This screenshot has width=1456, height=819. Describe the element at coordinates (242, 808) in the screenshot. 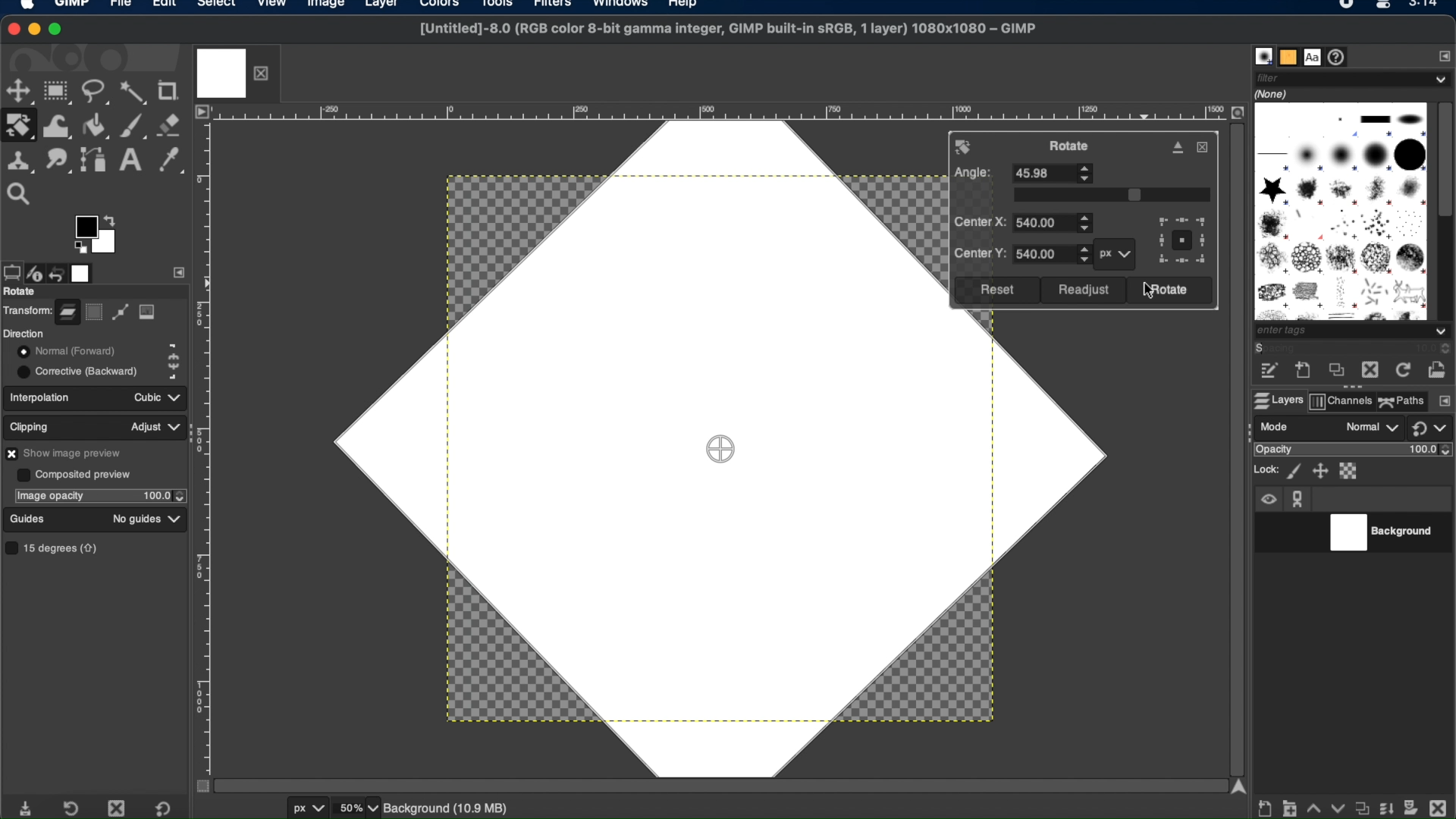

I see `cursor coordinates` at that location.